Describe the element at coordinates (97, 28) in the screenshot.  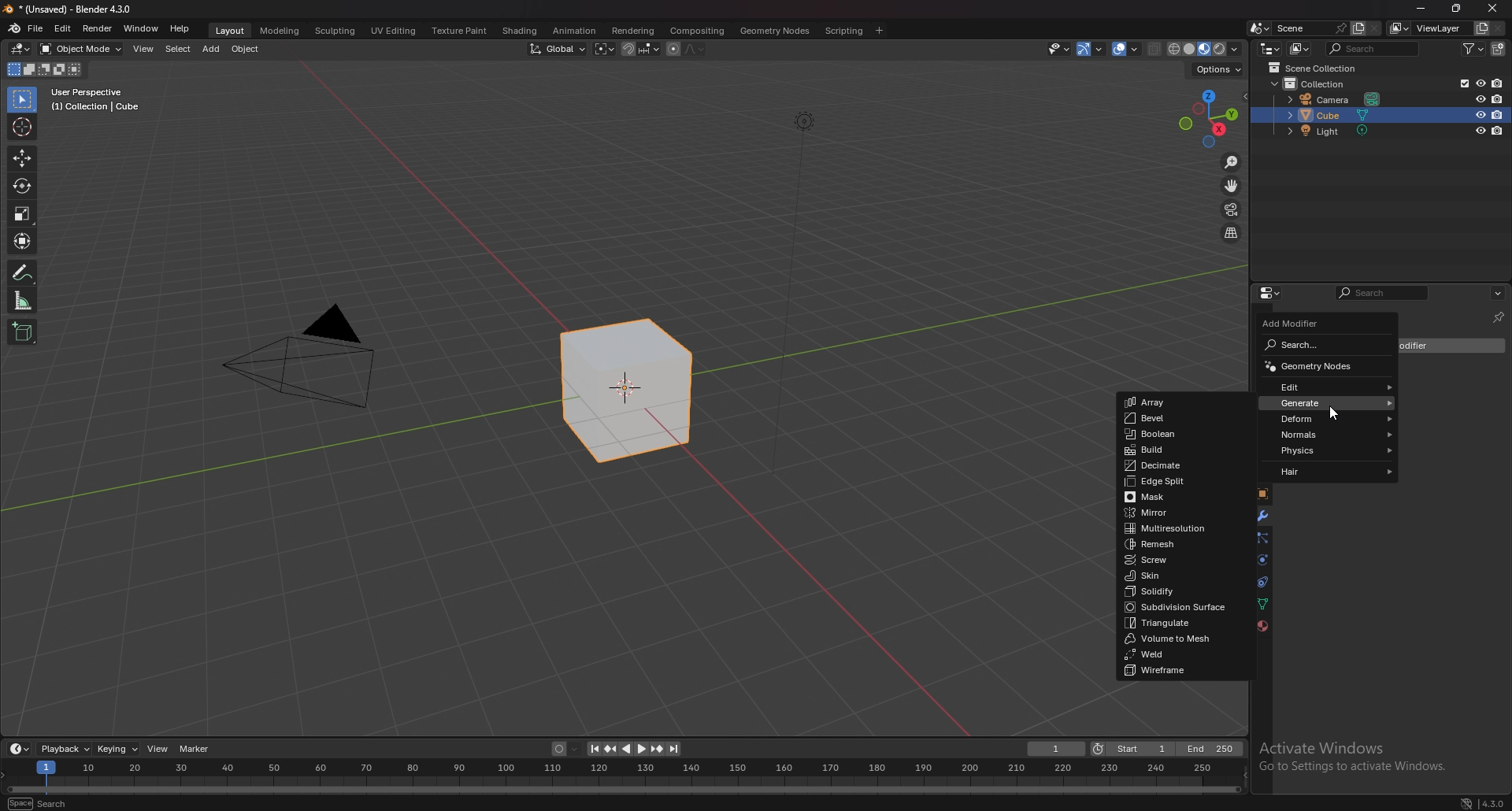
I see `render` at that location.